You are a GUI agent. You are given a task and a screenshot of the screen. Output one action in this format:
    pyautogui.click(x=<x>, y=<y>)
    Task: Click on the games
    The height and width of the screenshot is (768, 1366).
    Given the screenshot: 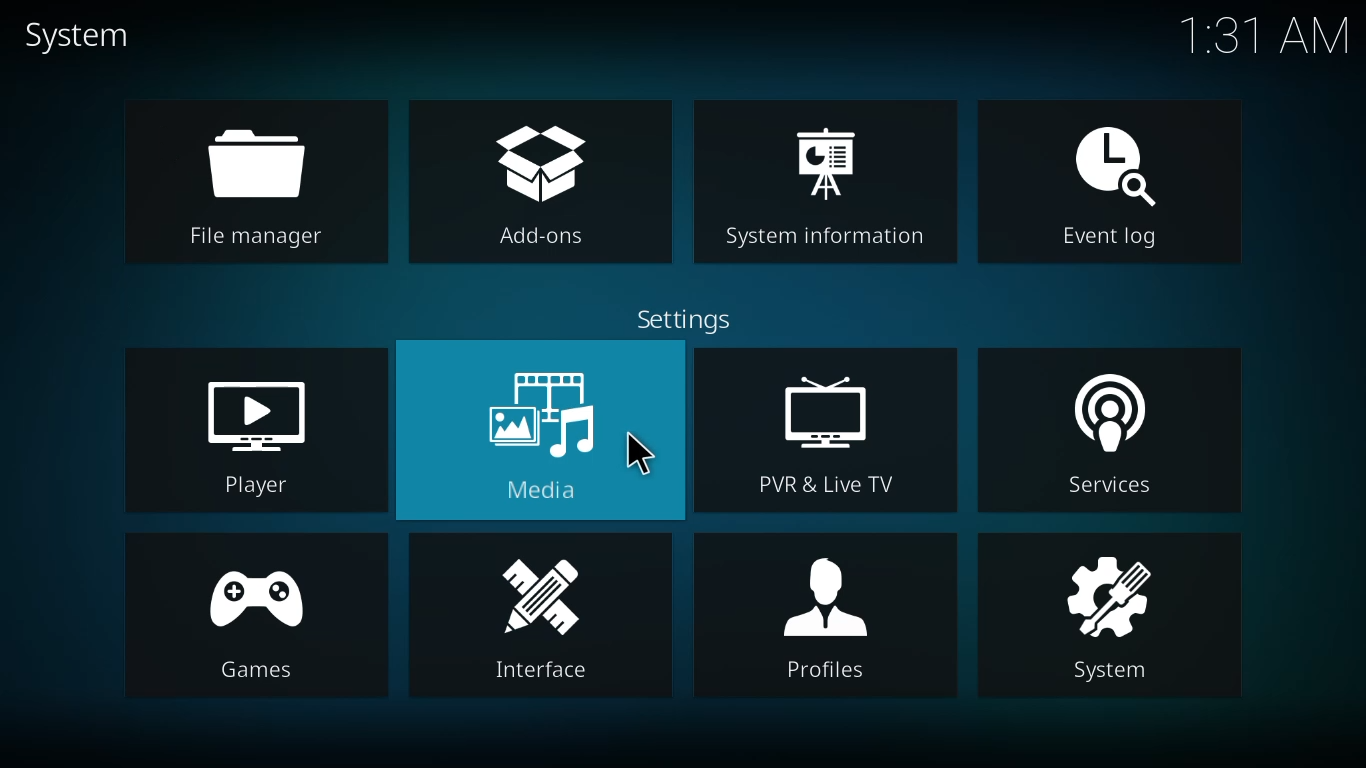 What is the action you would take?
    pyautogui.click(x=254, y=617)
    